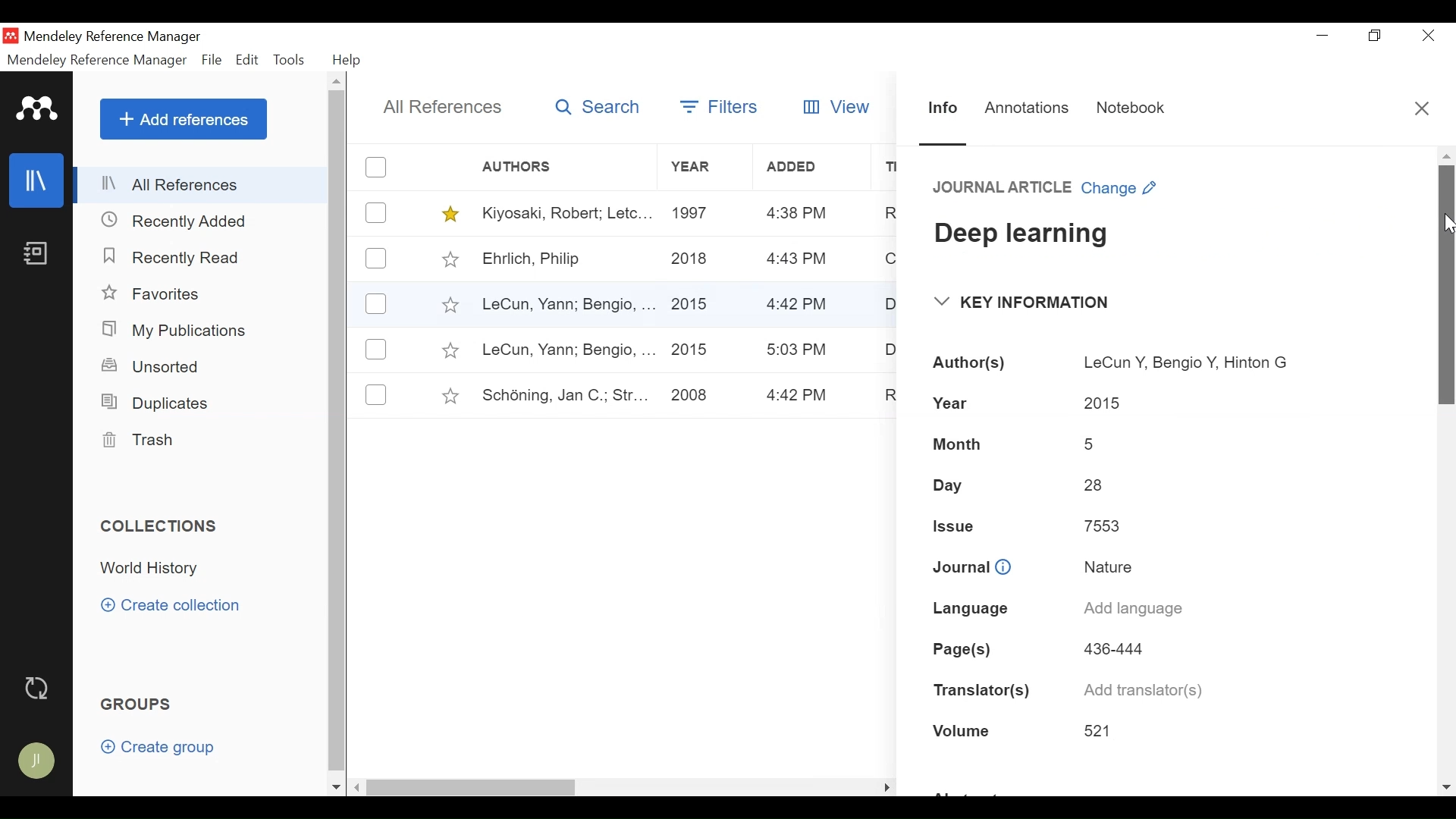  What do you see at coordinates (376, 167) in the screenshot?
I see `(un)select` at bounding box center [376, 167].